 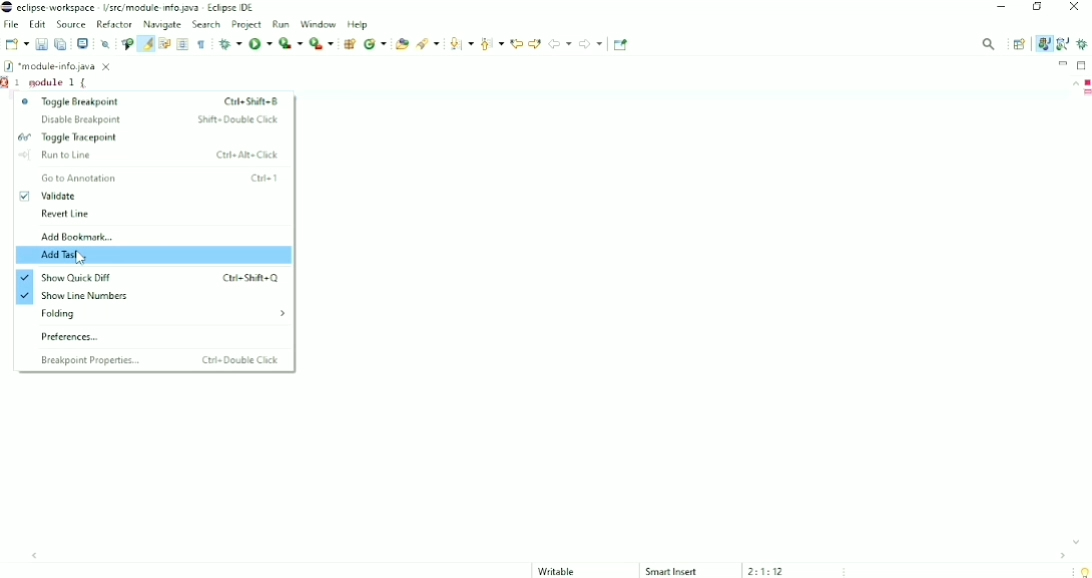 What do you see at coordinates (672, 571) in the screenshot?
I see `Smart Insert` at bounding box center [672, 571].